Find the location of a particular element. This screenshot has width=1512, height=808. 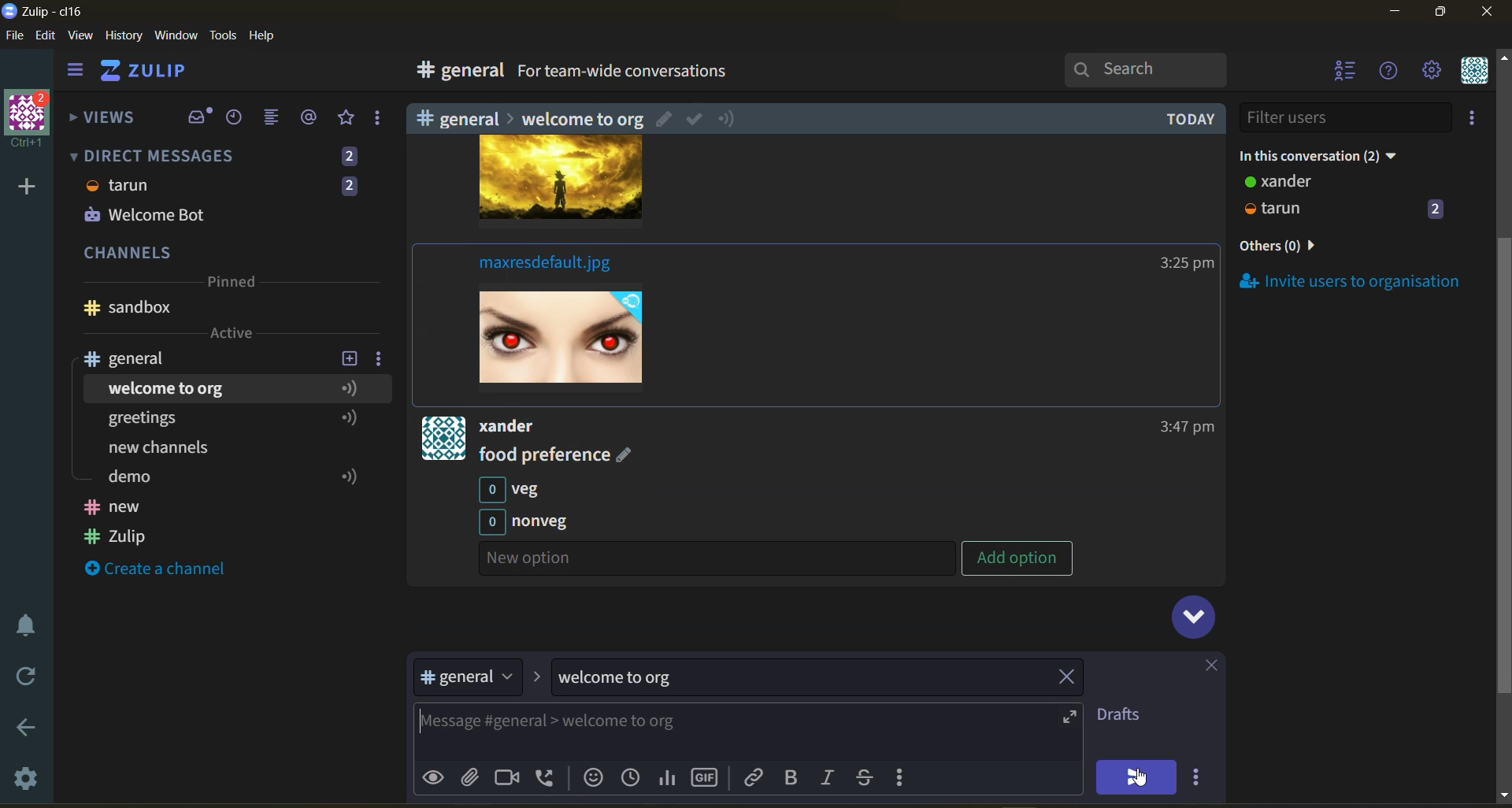

help is located at coordinates (268, 36).